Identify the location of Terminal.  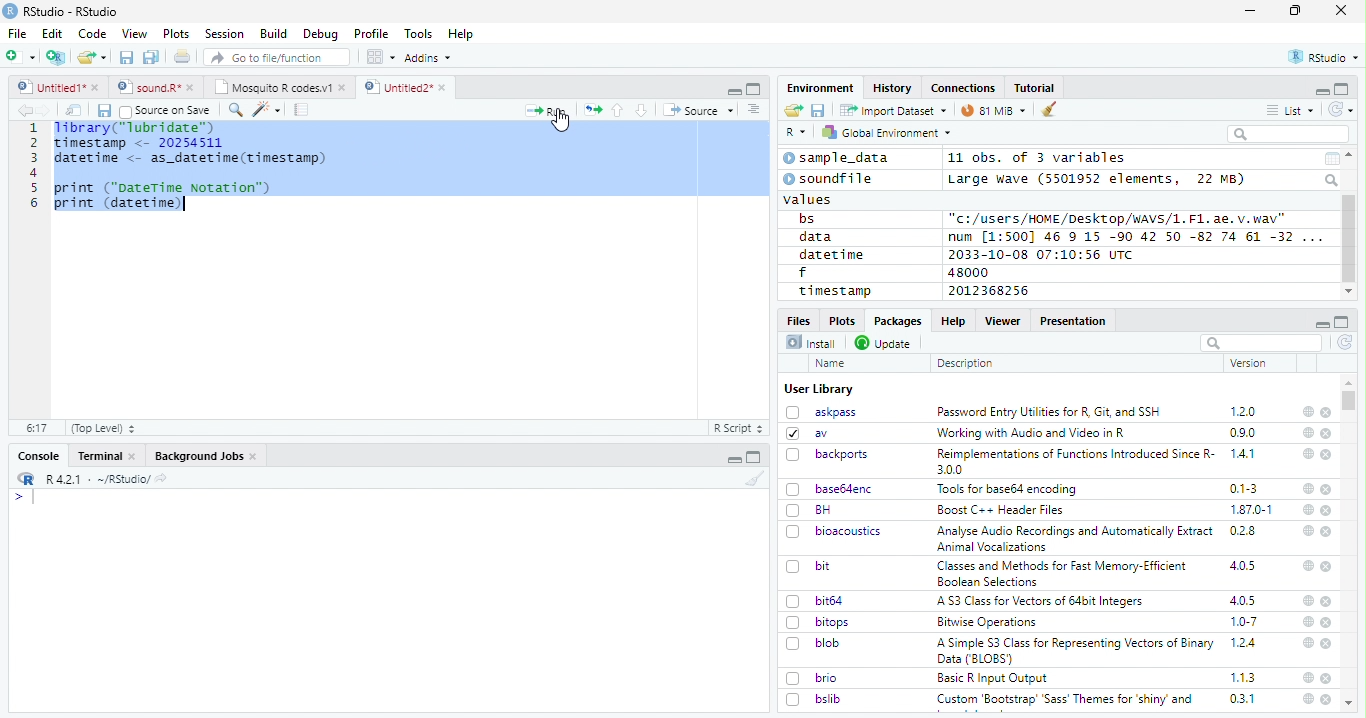
(106, 456).